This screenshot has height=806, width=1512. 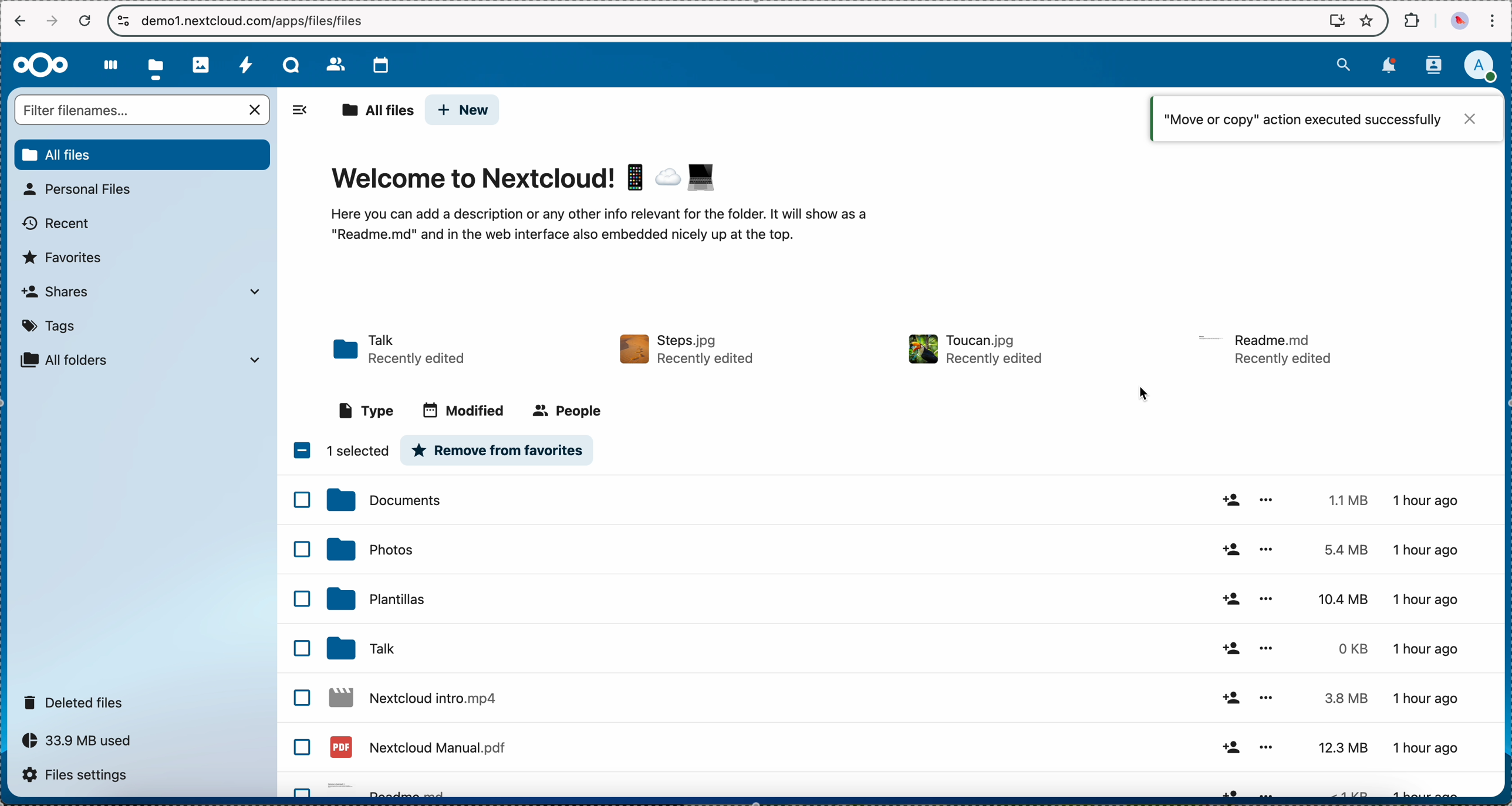 I want to click on tags, so click(x=48, y=327).